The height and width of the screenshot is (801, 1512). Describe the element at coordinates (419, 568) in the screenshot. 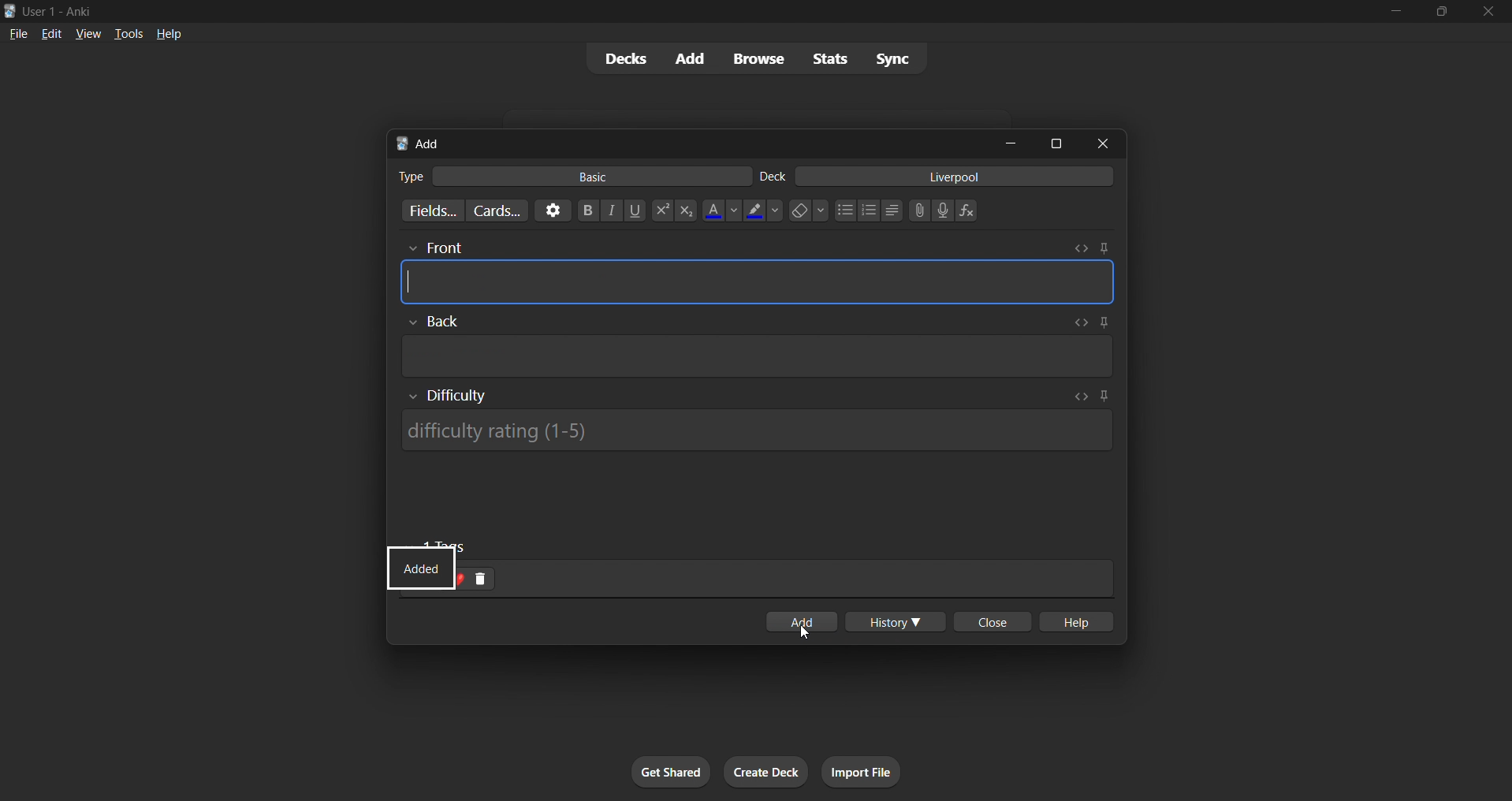

I see `status update` at that location.